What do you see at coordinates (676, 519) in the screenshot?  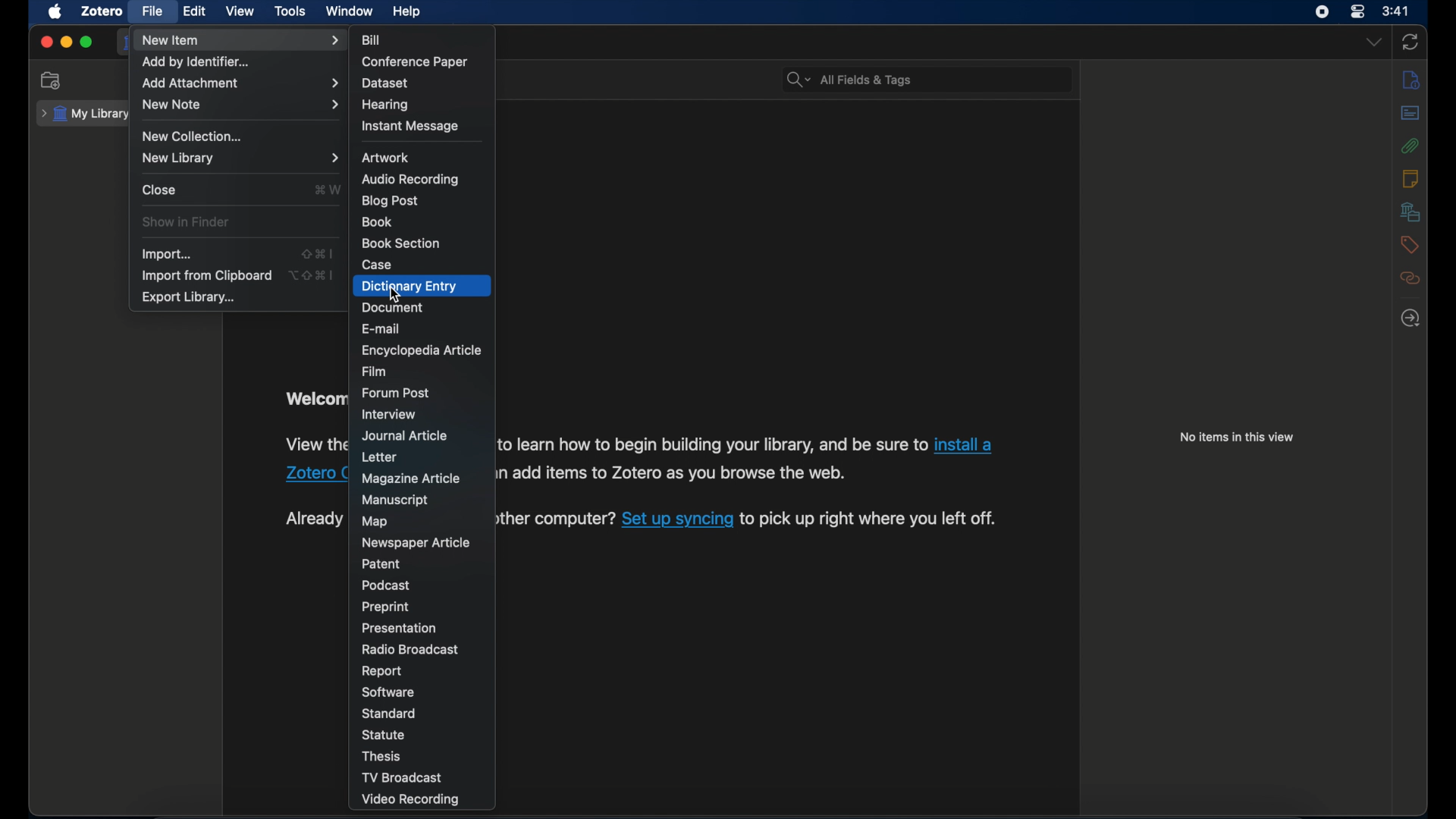 I see `link` at bounding box center [676, 519].